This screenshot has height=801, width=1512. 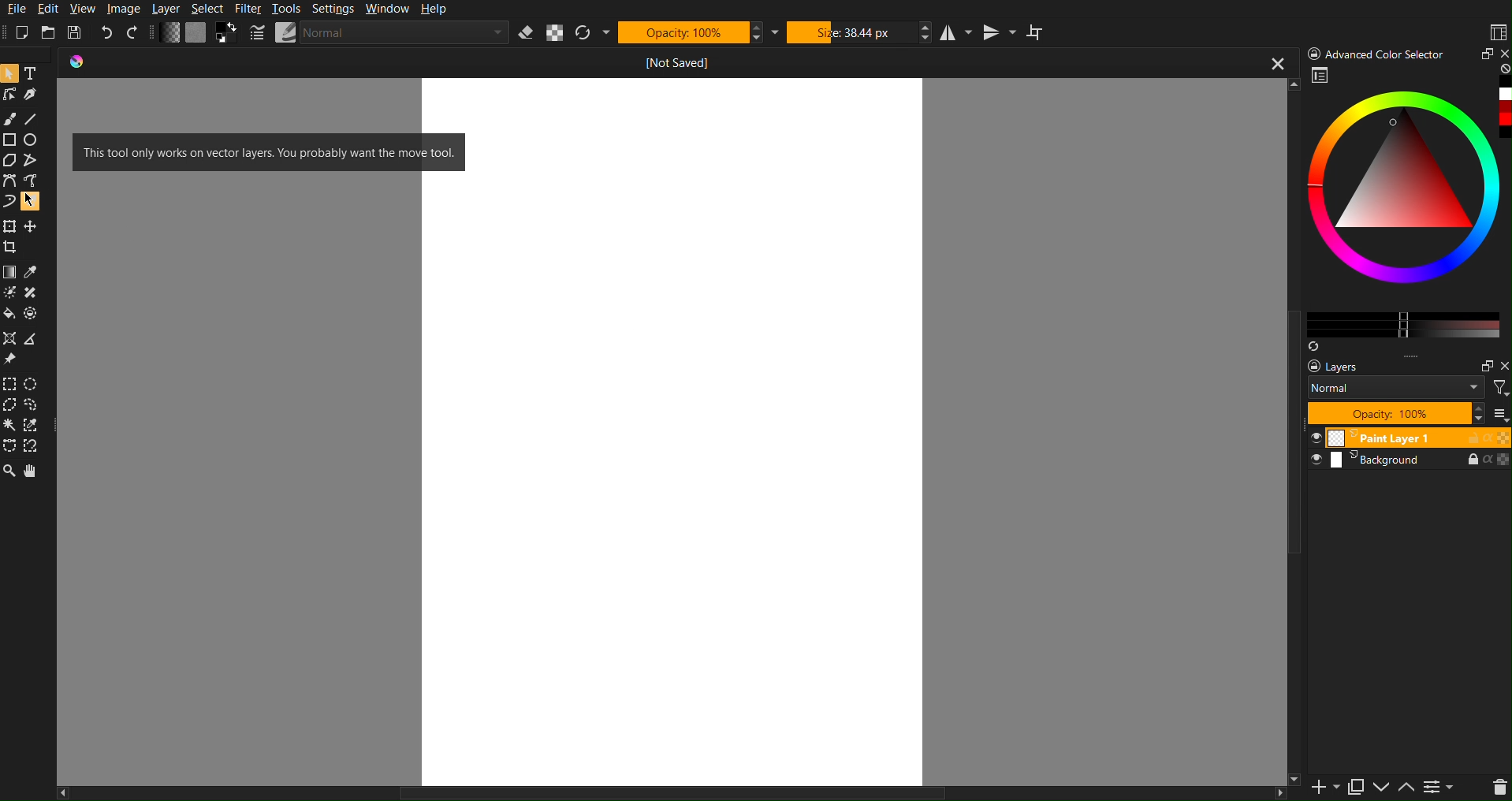 I want to click on layers, so click(x=1346, y=367).